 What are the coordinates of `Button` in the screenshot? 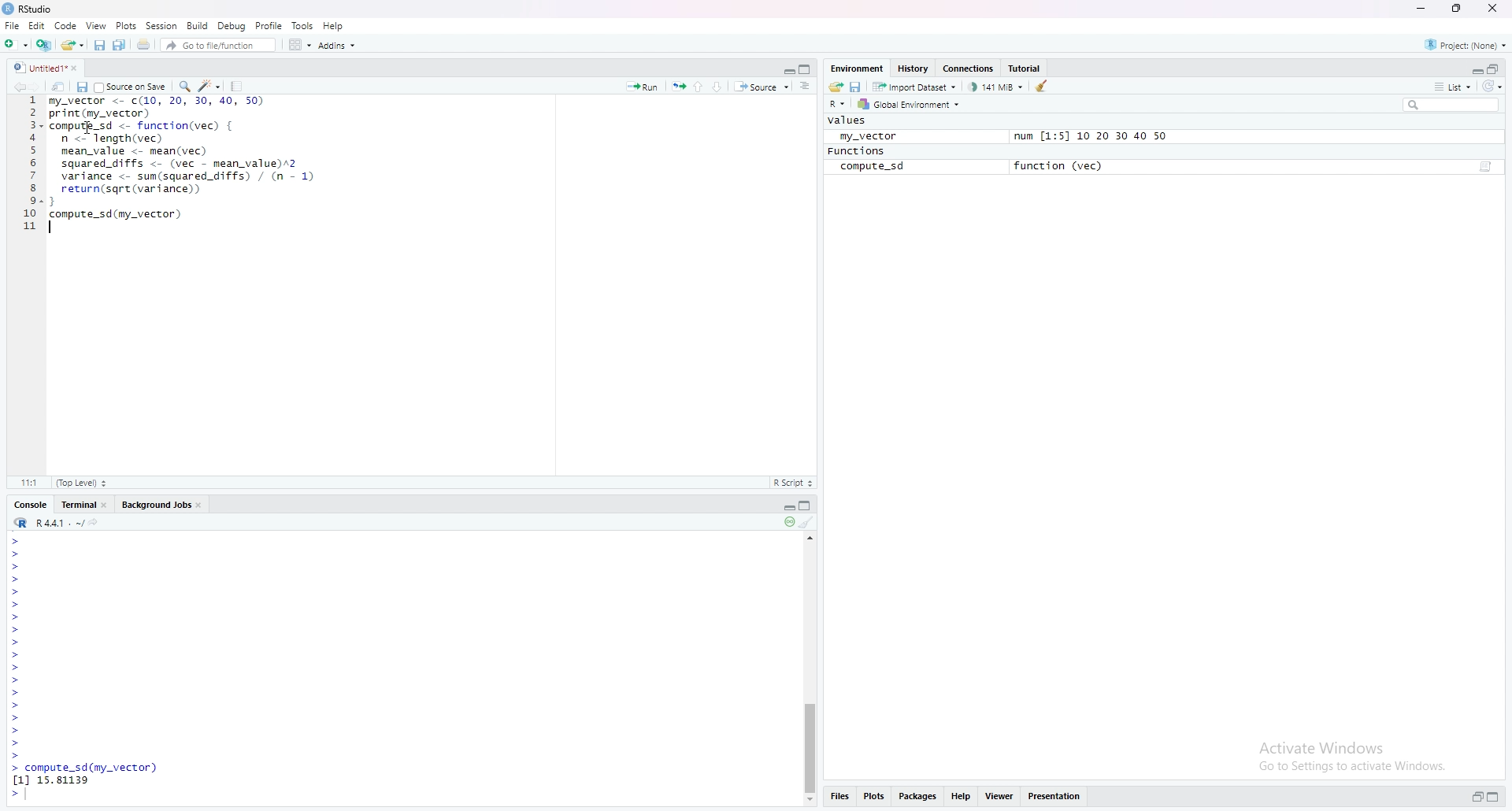 It's located at (810, 801).